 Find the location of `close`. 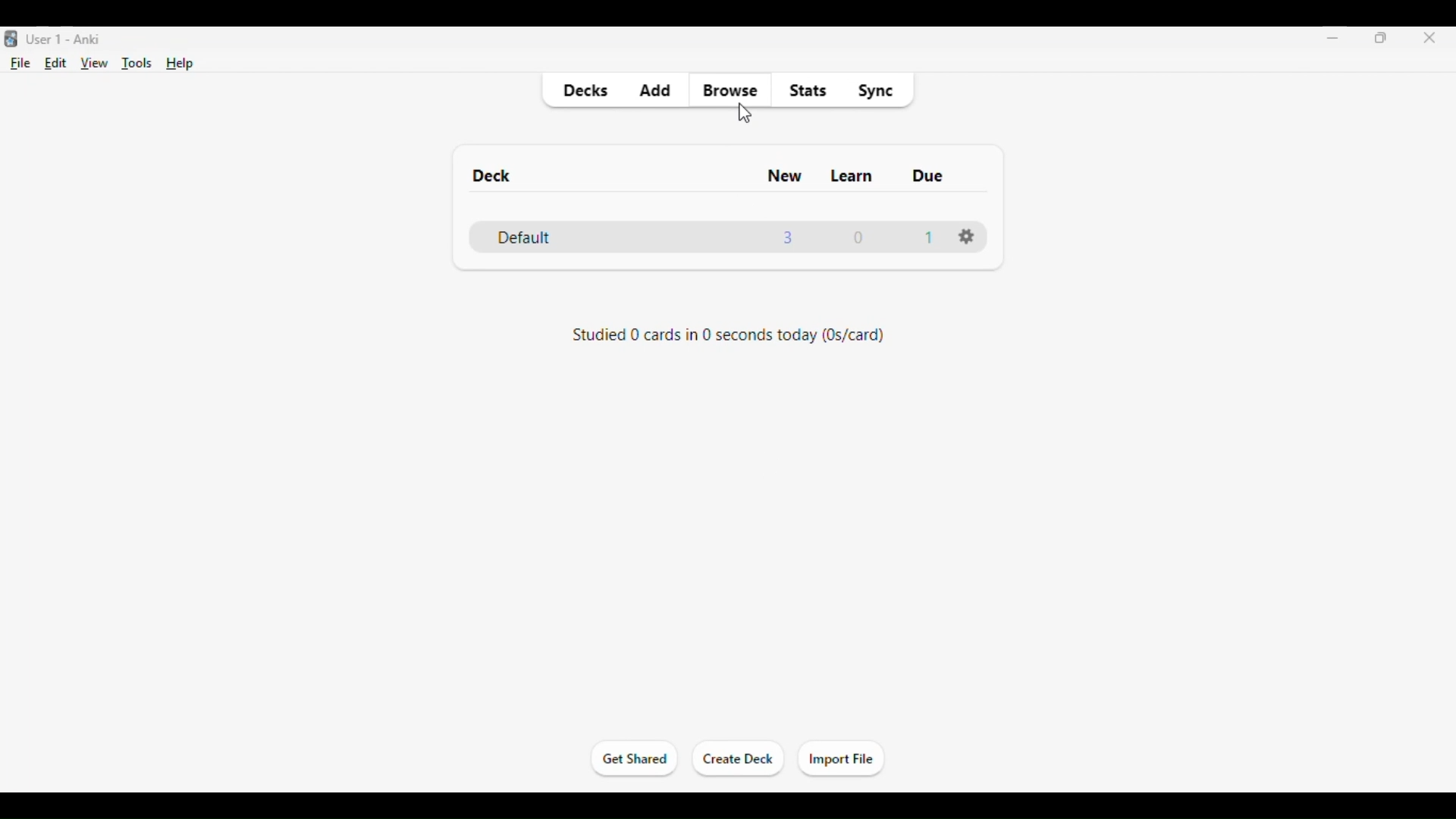

close is located at coordinates (1425, 39).